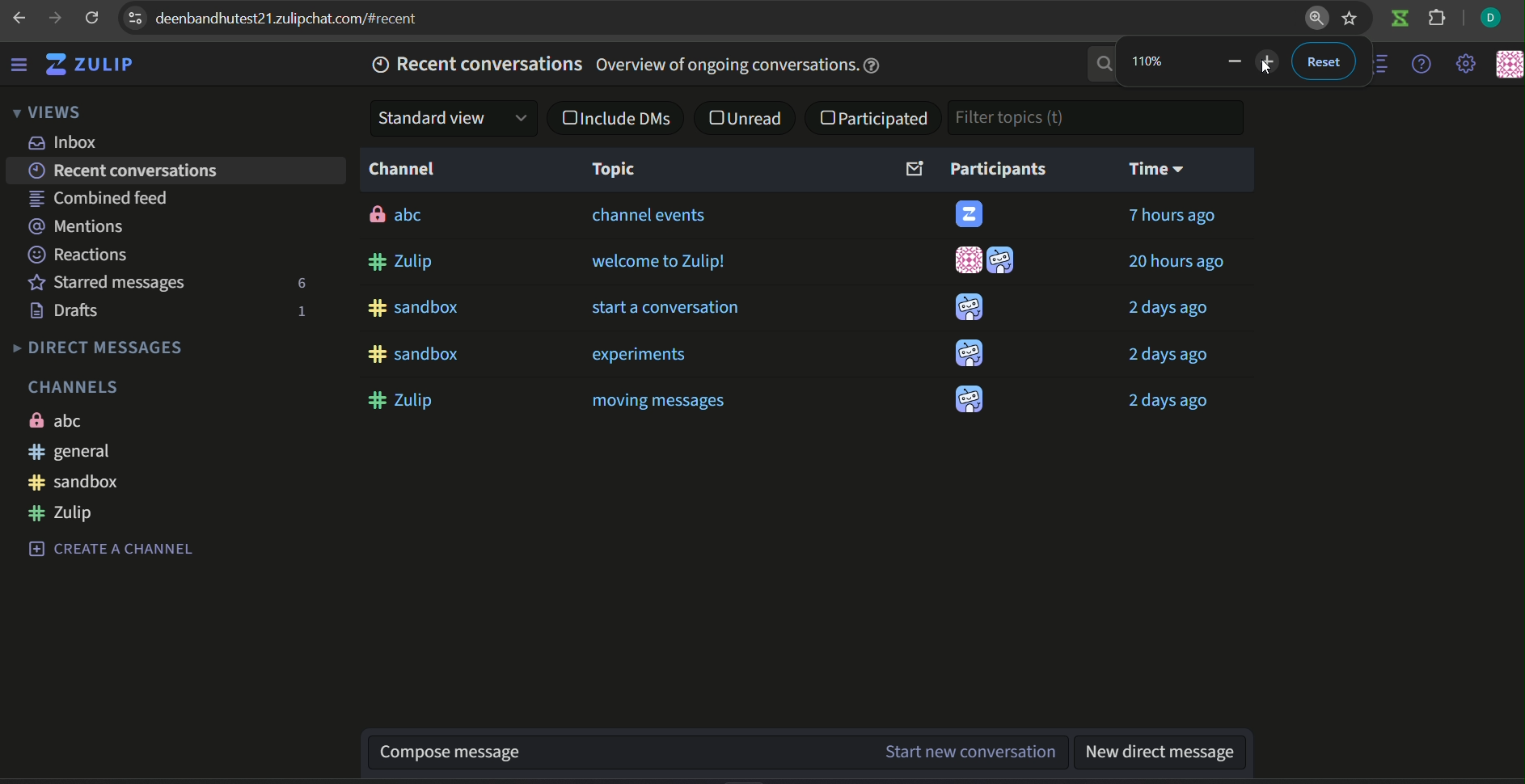  What do you see at coordinates (1399, 20) in the screenshot?
I see `icon` at bounding box center [1399, 20].